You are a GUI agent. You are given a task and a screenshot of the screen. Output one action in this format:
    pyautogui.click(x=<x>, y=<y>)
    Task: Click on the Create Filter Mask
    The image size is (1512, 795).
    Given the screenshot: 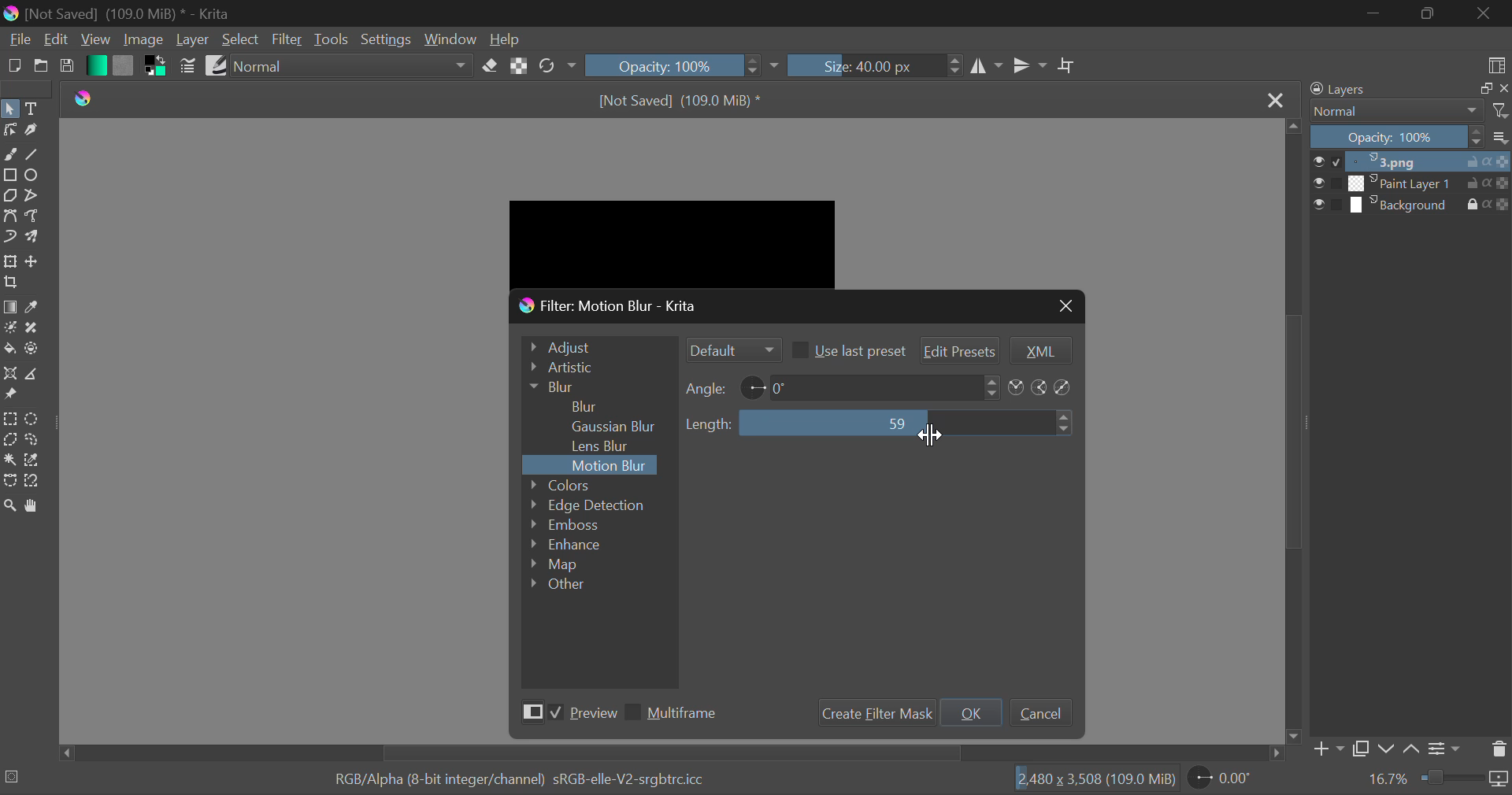 What is the action you would take?
    pyautogui.click(x=873, y=713)
    